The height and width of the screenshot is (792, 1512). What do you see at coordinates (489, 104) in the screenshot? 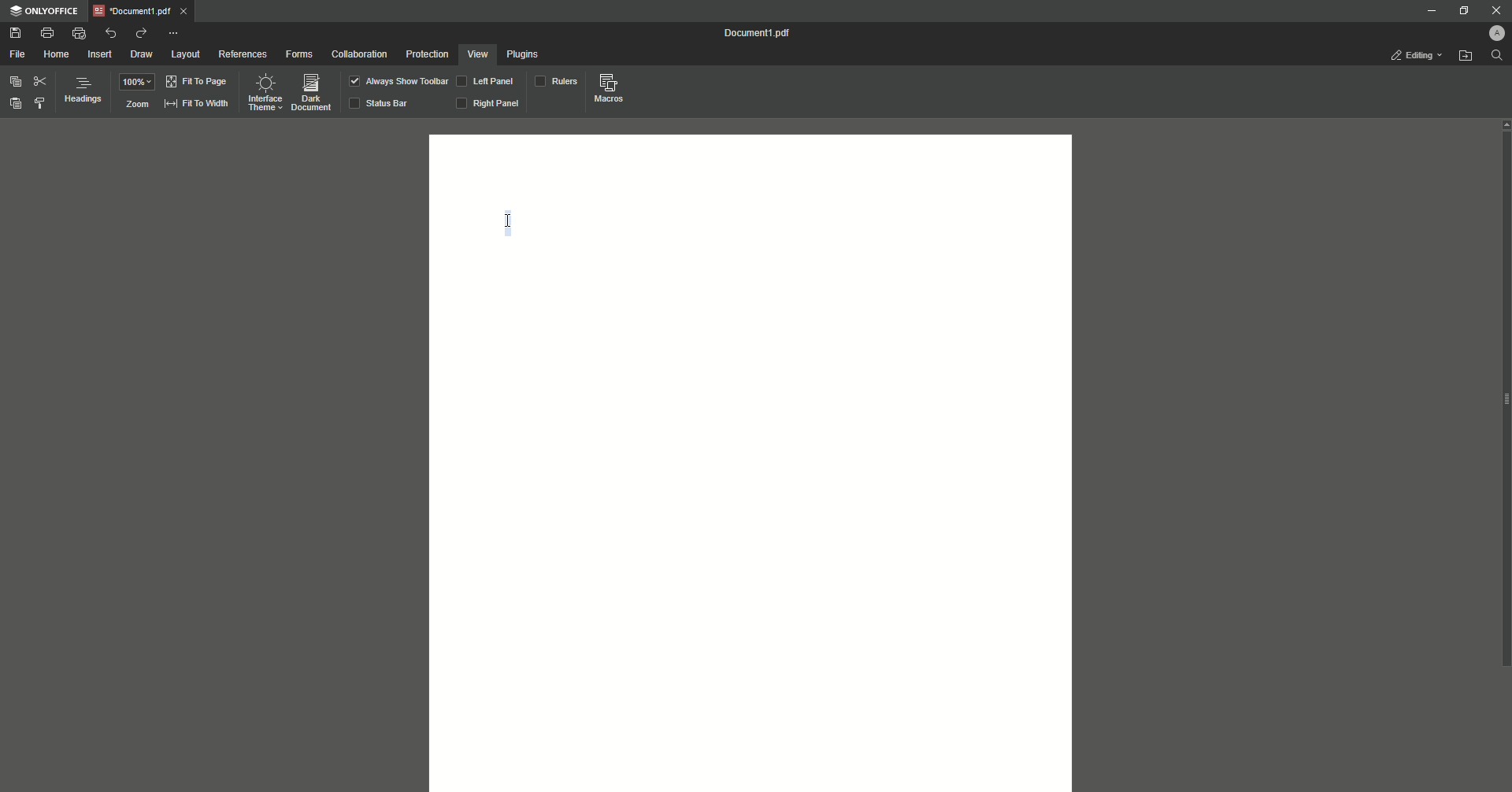
I see `Right Panel` at bounding box center [489, 104].